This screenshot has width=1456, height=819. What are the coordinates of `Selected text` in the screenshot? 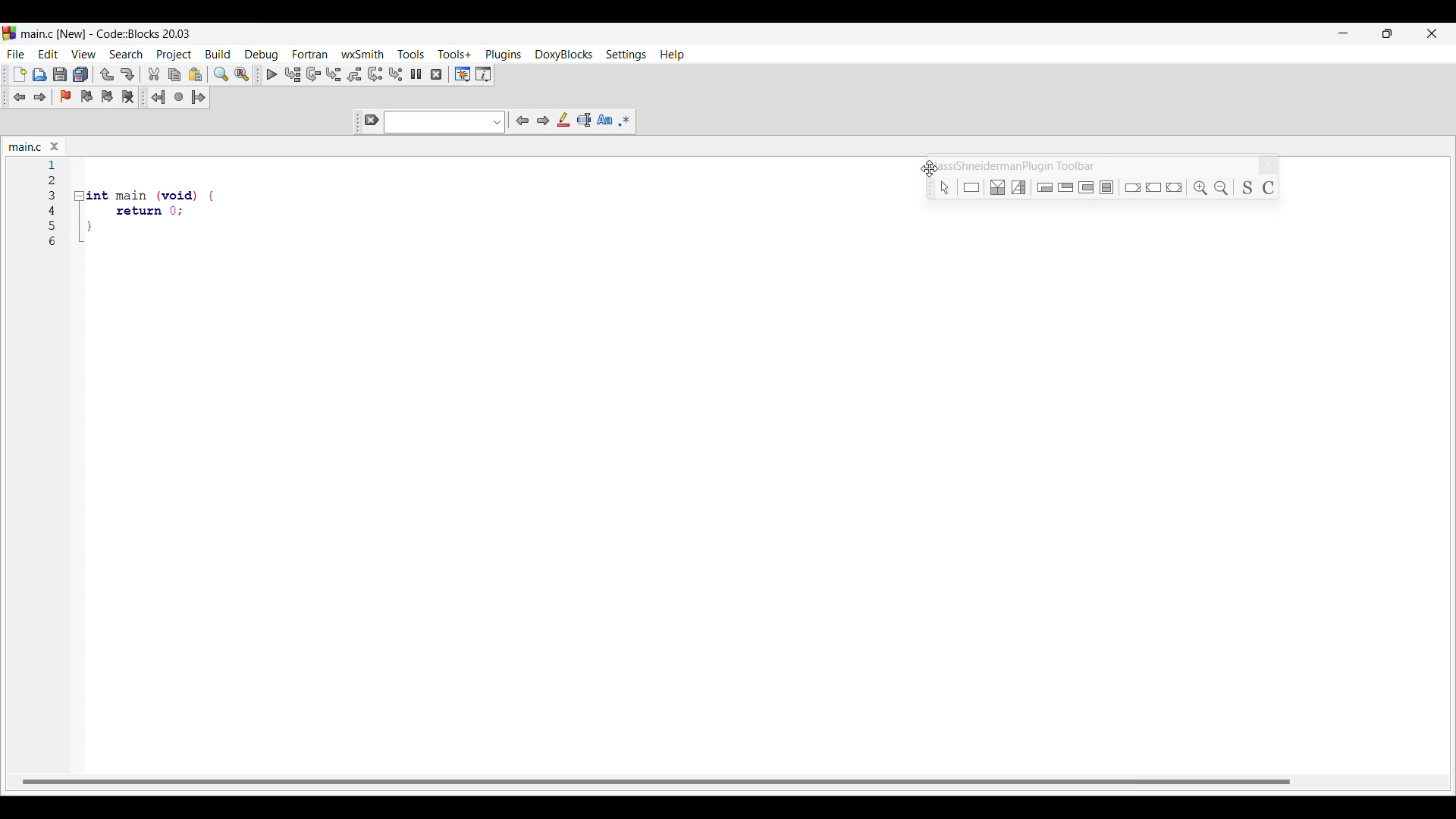 It's located at (584, 120).